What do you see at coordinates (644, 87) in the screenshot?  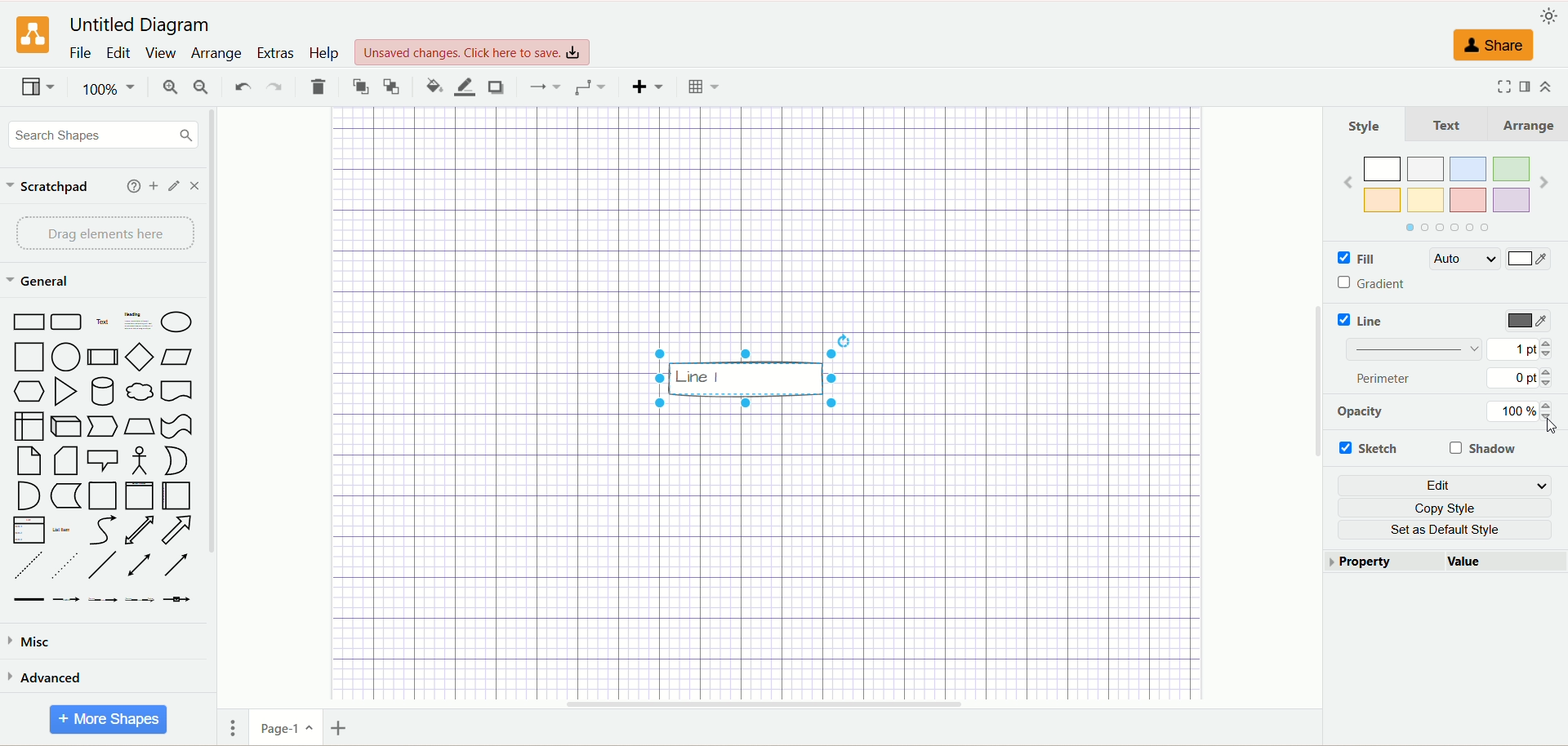 I see `insert` at bounding box center [644, 87].